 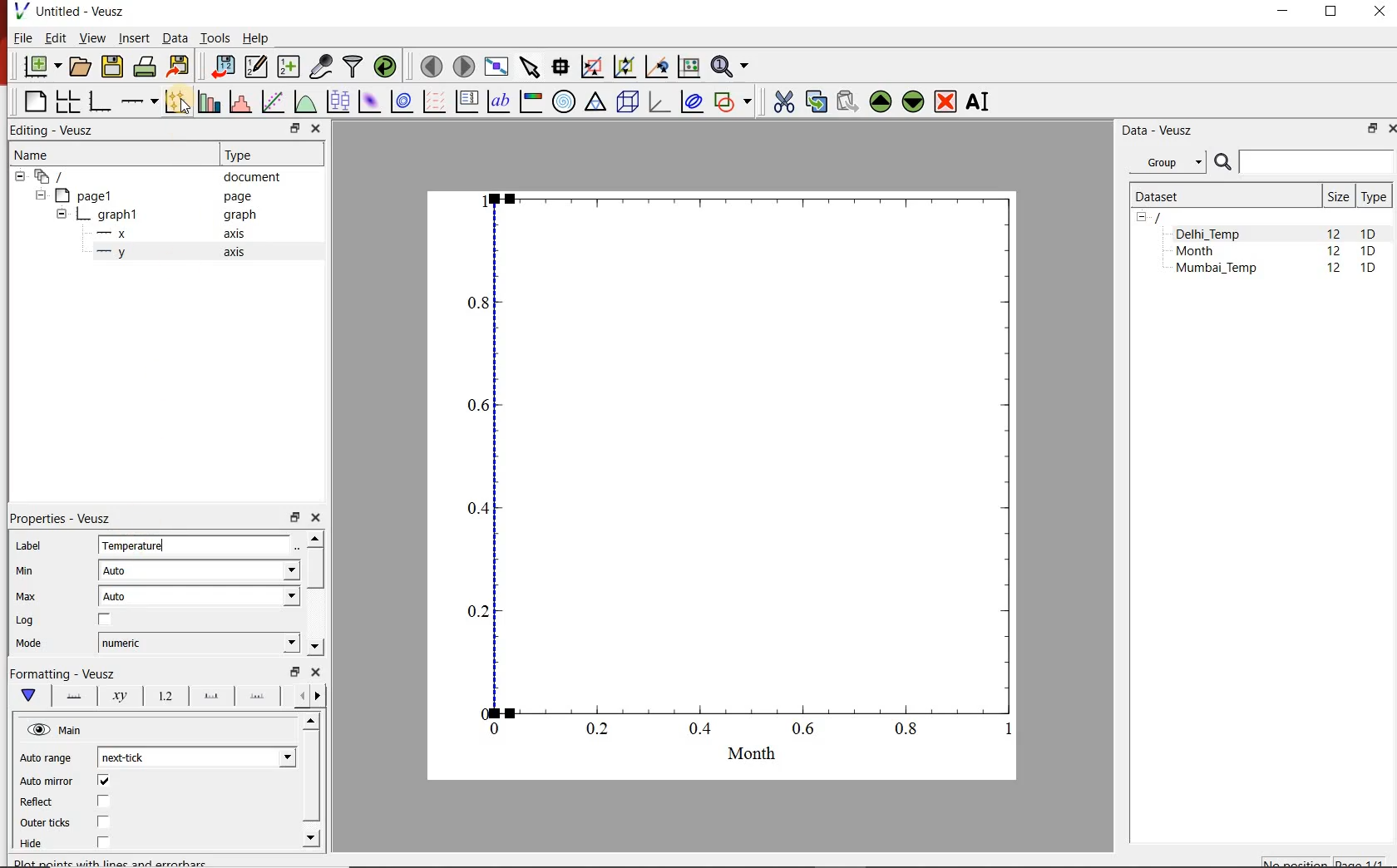 What do you see at coordinates (1335, 270) in the screenshot?
I see `12` at bounding box center [1335, 270].